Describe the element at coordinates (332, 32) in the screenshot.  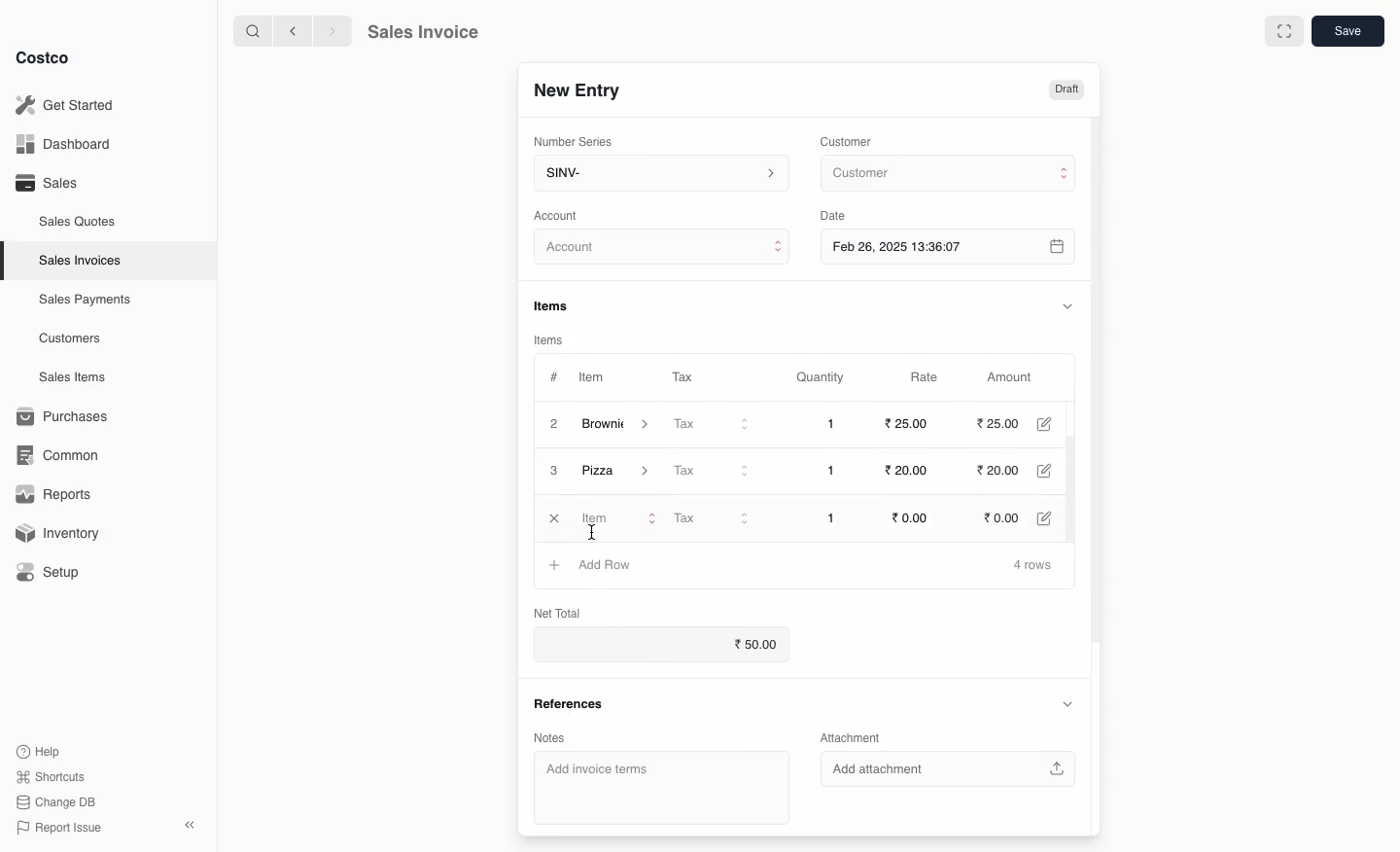
I see `Forward` at that location.